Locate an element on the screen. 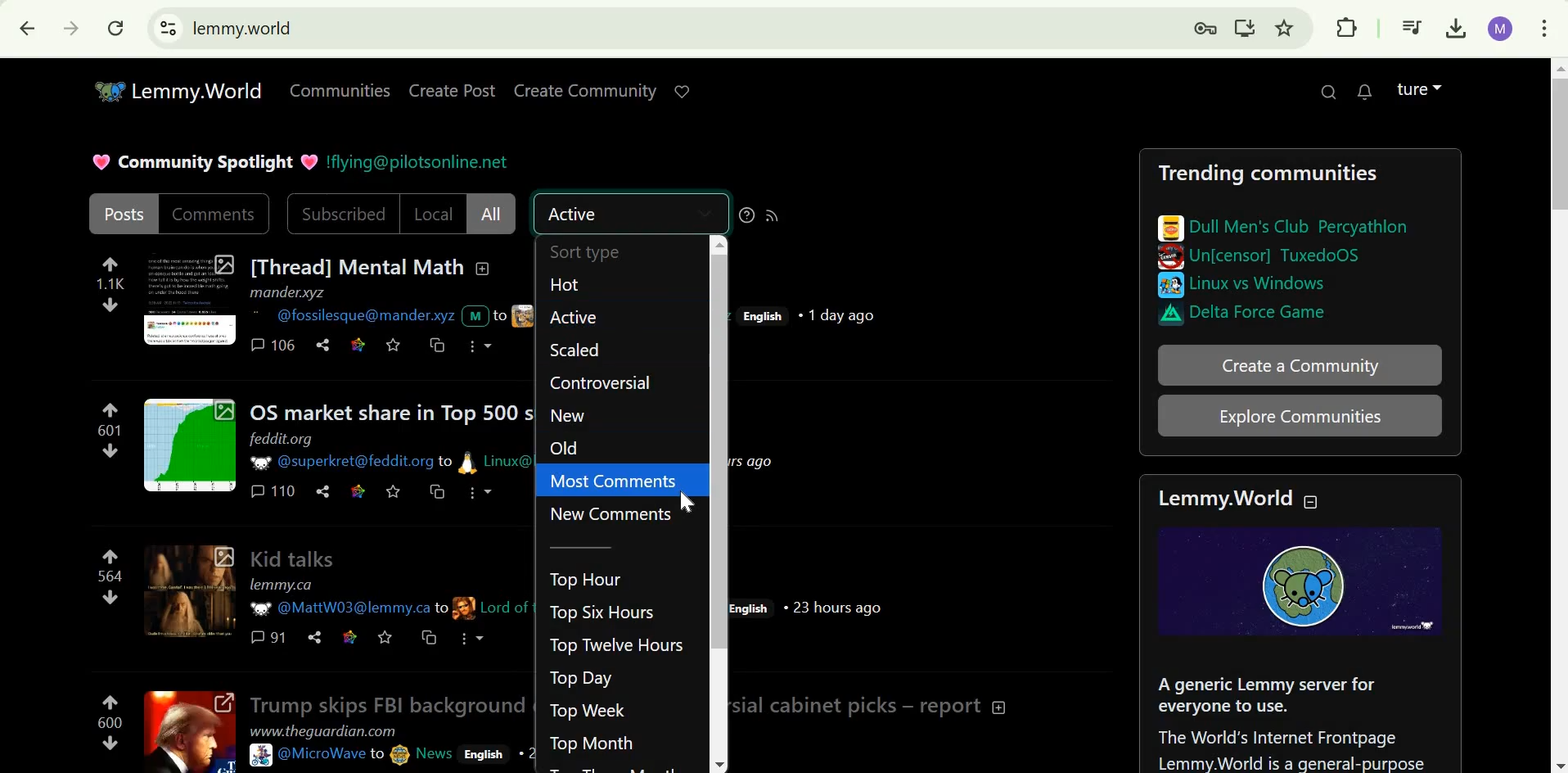 The width and height of the screenshot is (1568, 773). Un[censor] TuxedoOS is located at coordinates (1273, 255).